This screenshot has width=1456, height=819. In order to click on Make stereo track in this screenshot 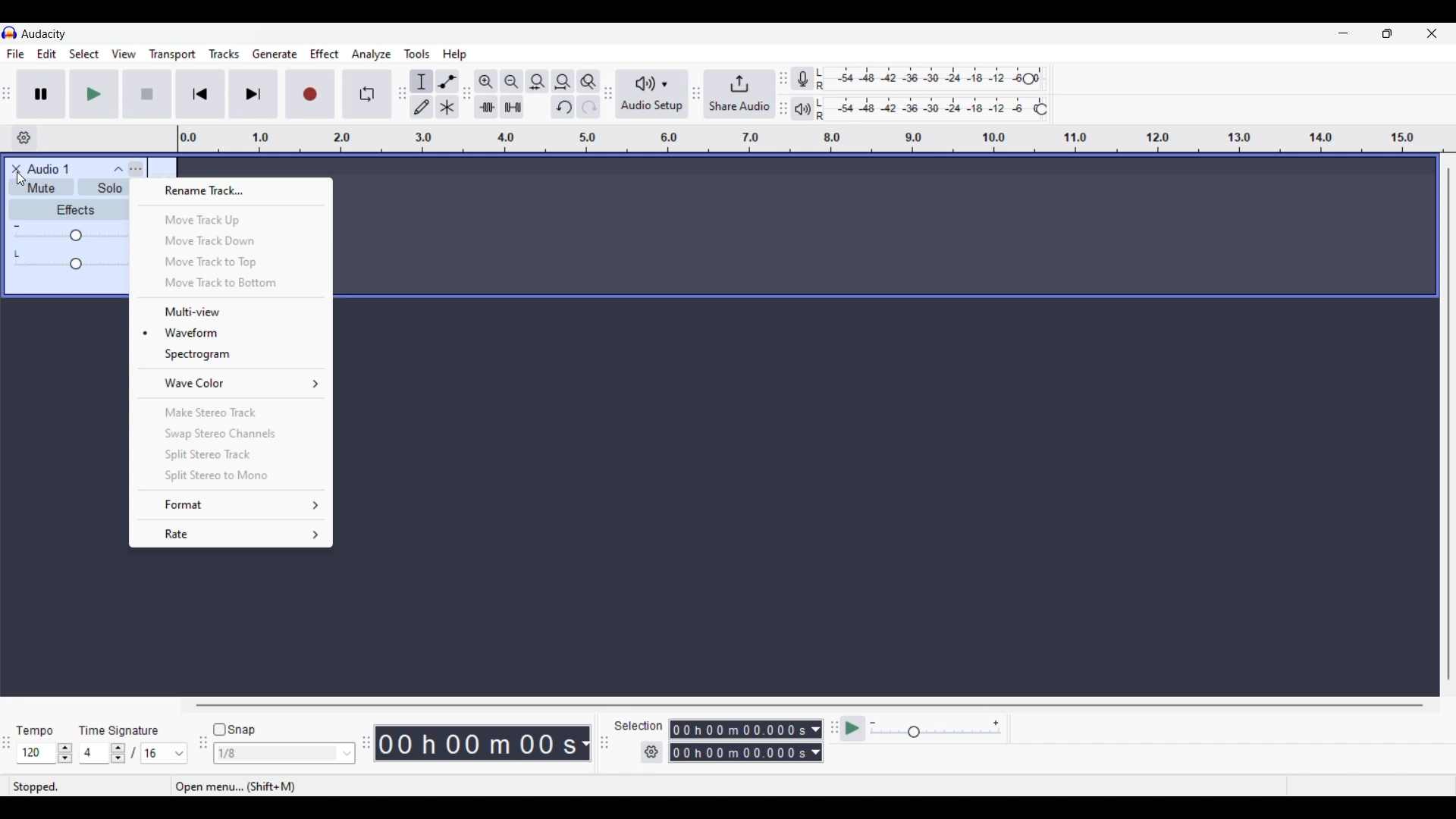, I will do `click(232, 412)`.